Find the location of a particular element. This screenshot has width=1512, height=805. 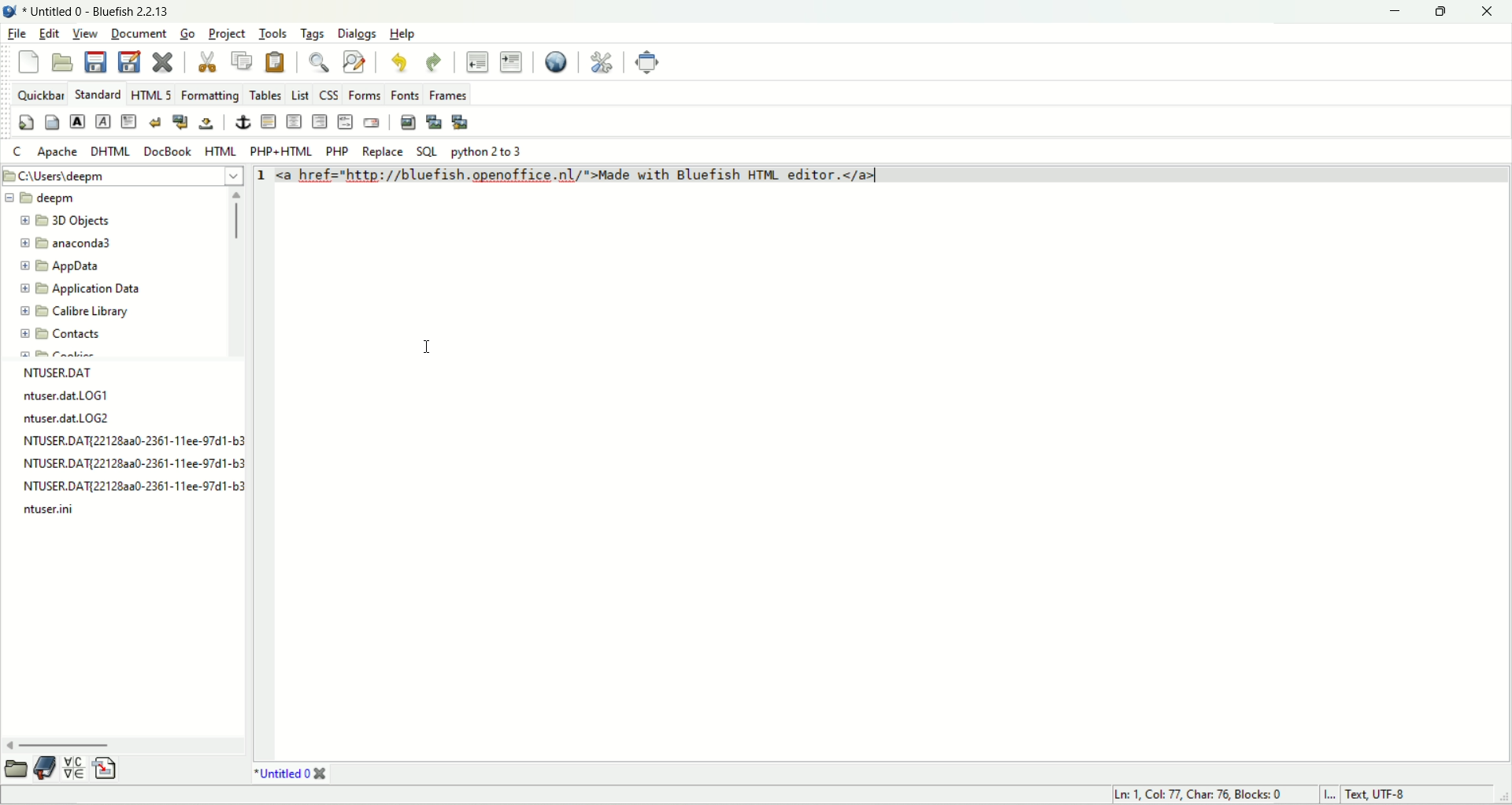

view is located at coordinates (86, 35).